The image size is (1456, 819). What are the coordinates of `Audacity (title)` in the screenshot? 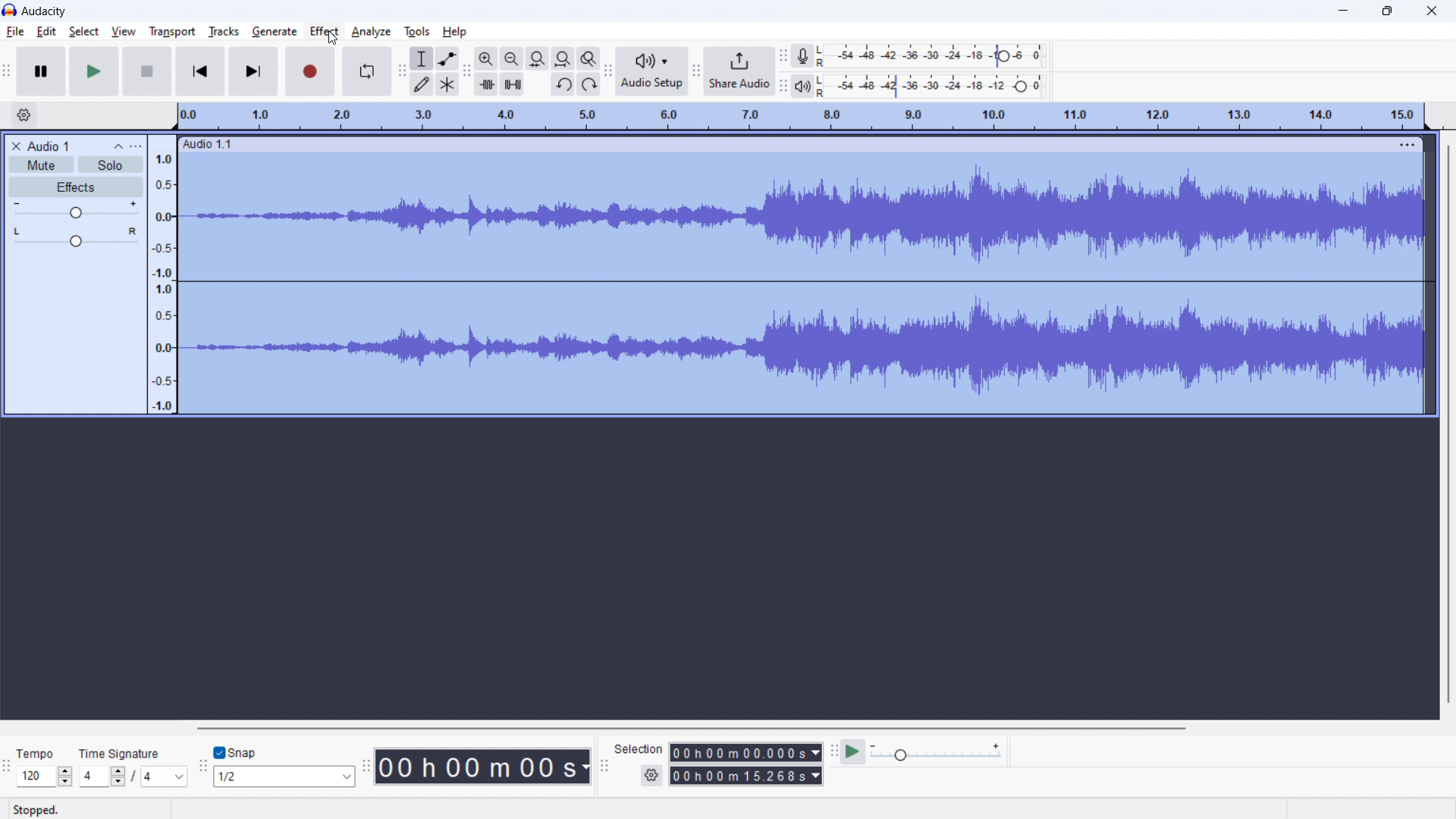 It's located at (49, 10).